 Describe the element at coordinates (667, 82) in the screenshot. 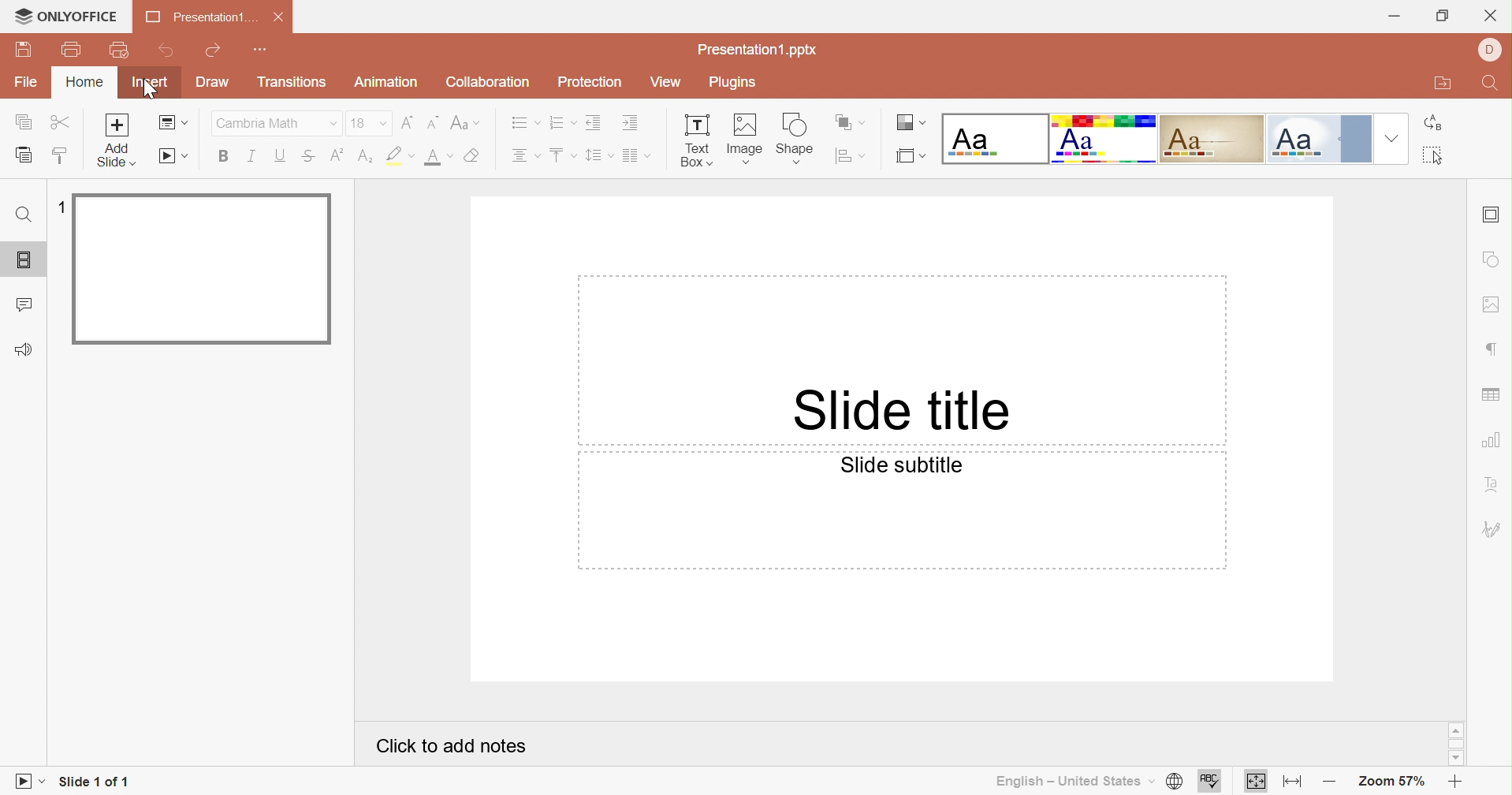

I see `View` at that location.